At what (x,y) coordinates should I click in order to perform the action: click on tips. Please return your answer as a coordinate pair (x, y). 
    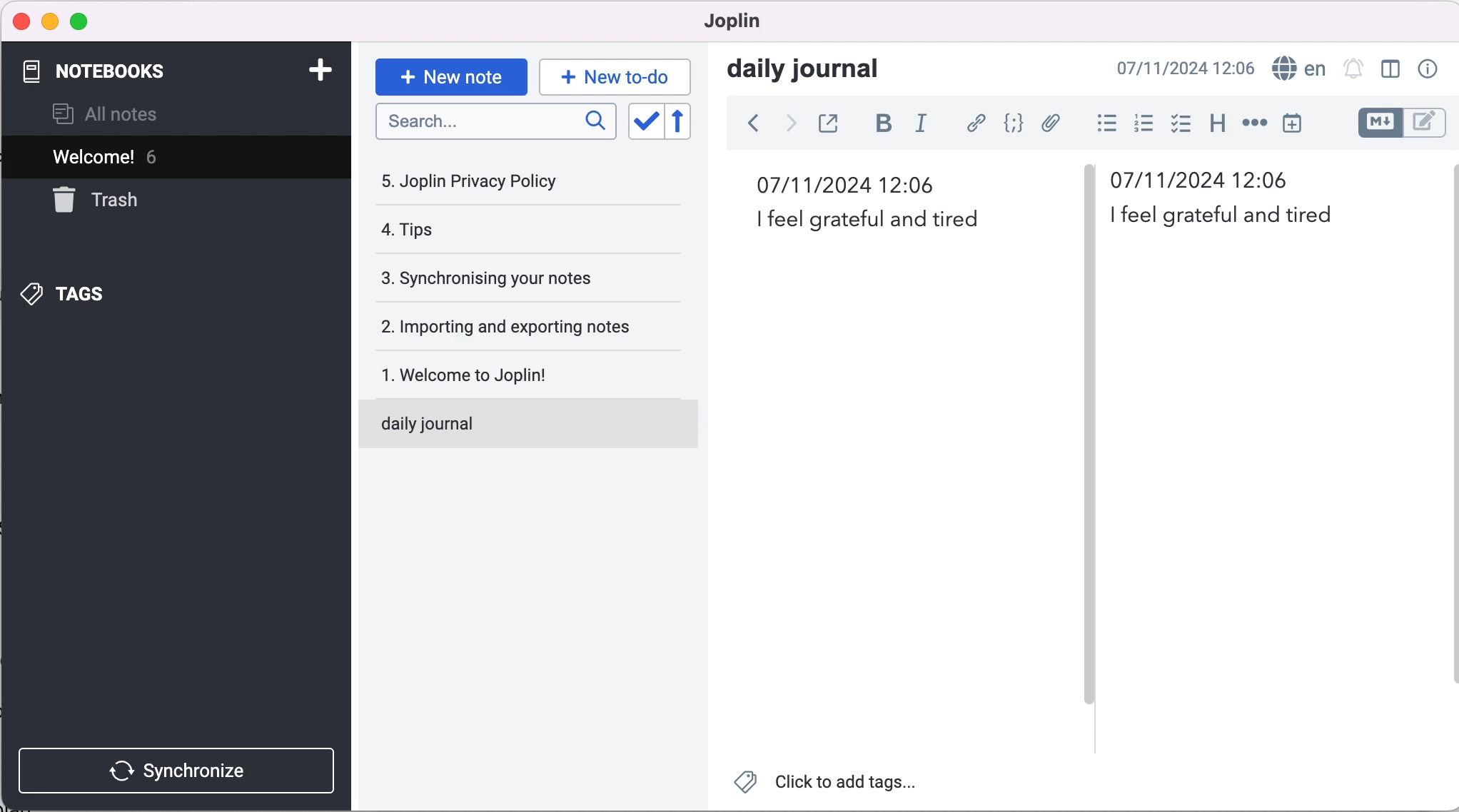
    Looking at the image, I should click on (468, 230).